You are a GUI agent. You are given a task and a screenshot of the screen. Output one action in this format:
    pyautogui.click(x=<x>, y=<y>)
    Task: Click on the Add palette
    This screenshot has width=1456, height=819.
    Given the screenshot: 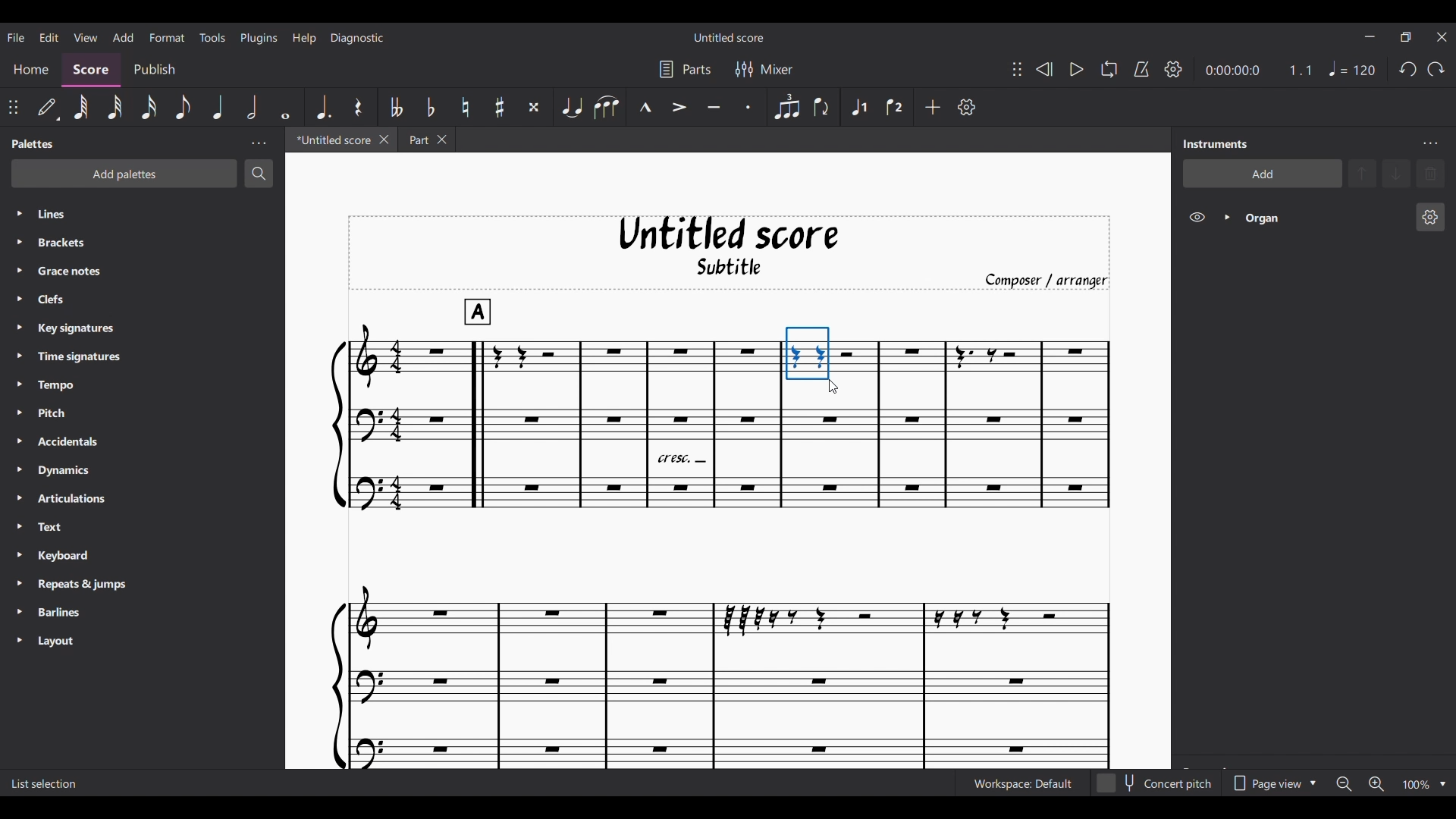 What is the action you would take?
    pyautogui.click(x=124, y=174)
    